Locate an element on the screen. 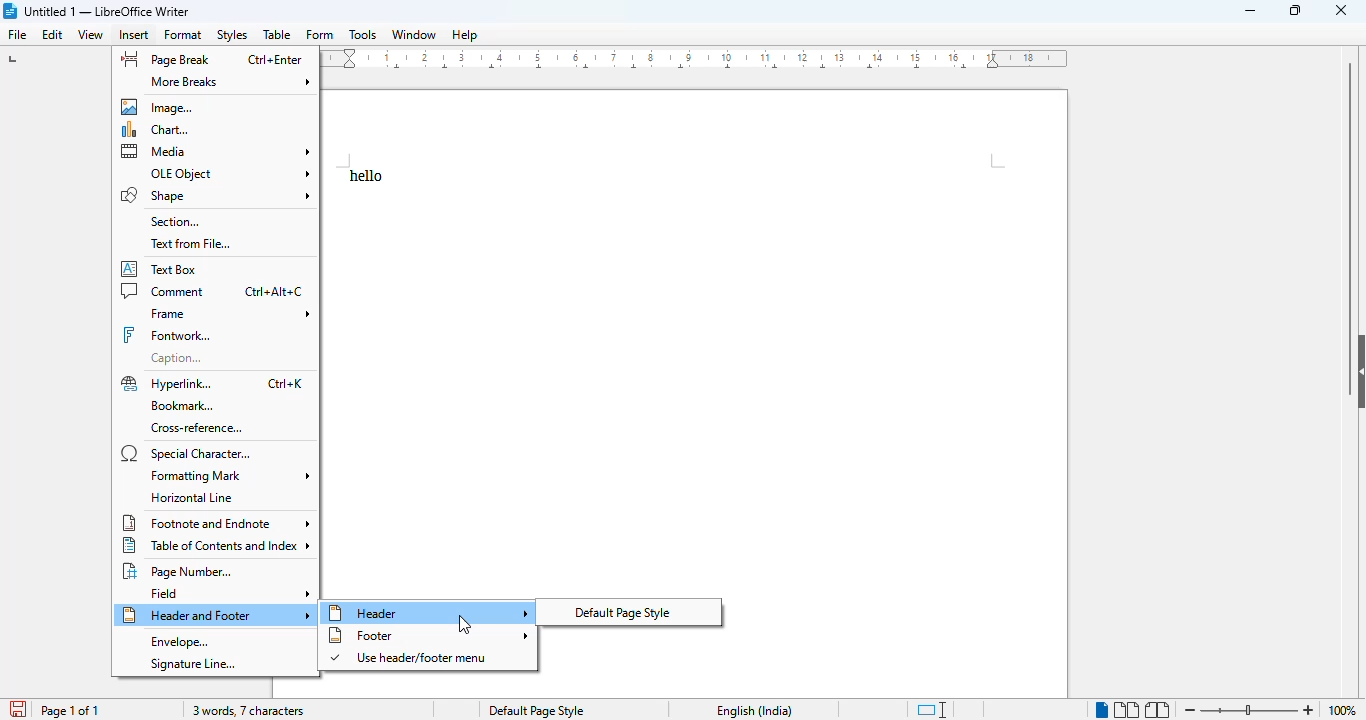 The width and height of the screenshot is (1366, 720). text from file is located at coordinates (192, 244).